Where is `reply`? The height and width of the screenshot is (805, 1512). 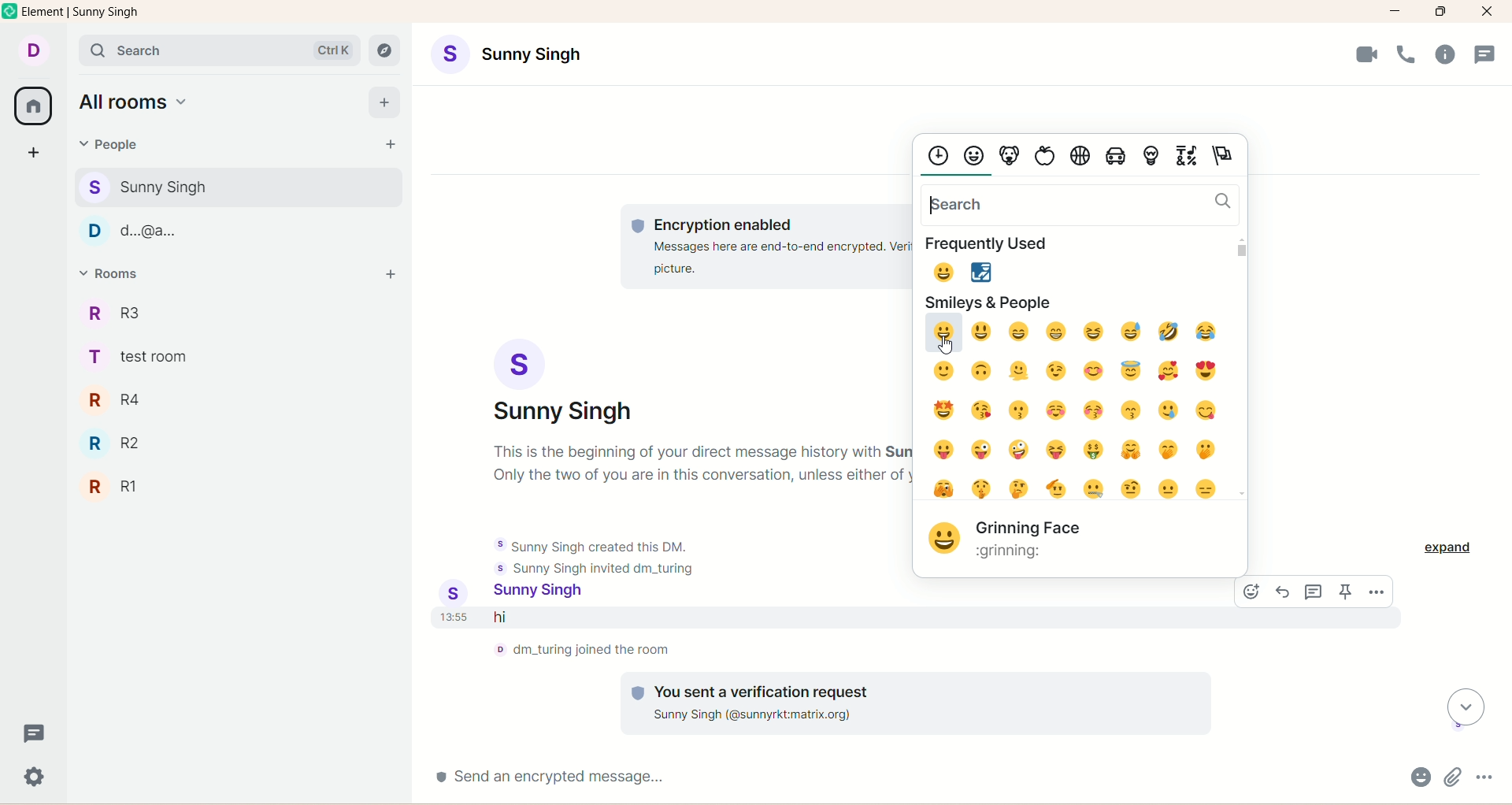 reply is located at coordinates (1284, 592).